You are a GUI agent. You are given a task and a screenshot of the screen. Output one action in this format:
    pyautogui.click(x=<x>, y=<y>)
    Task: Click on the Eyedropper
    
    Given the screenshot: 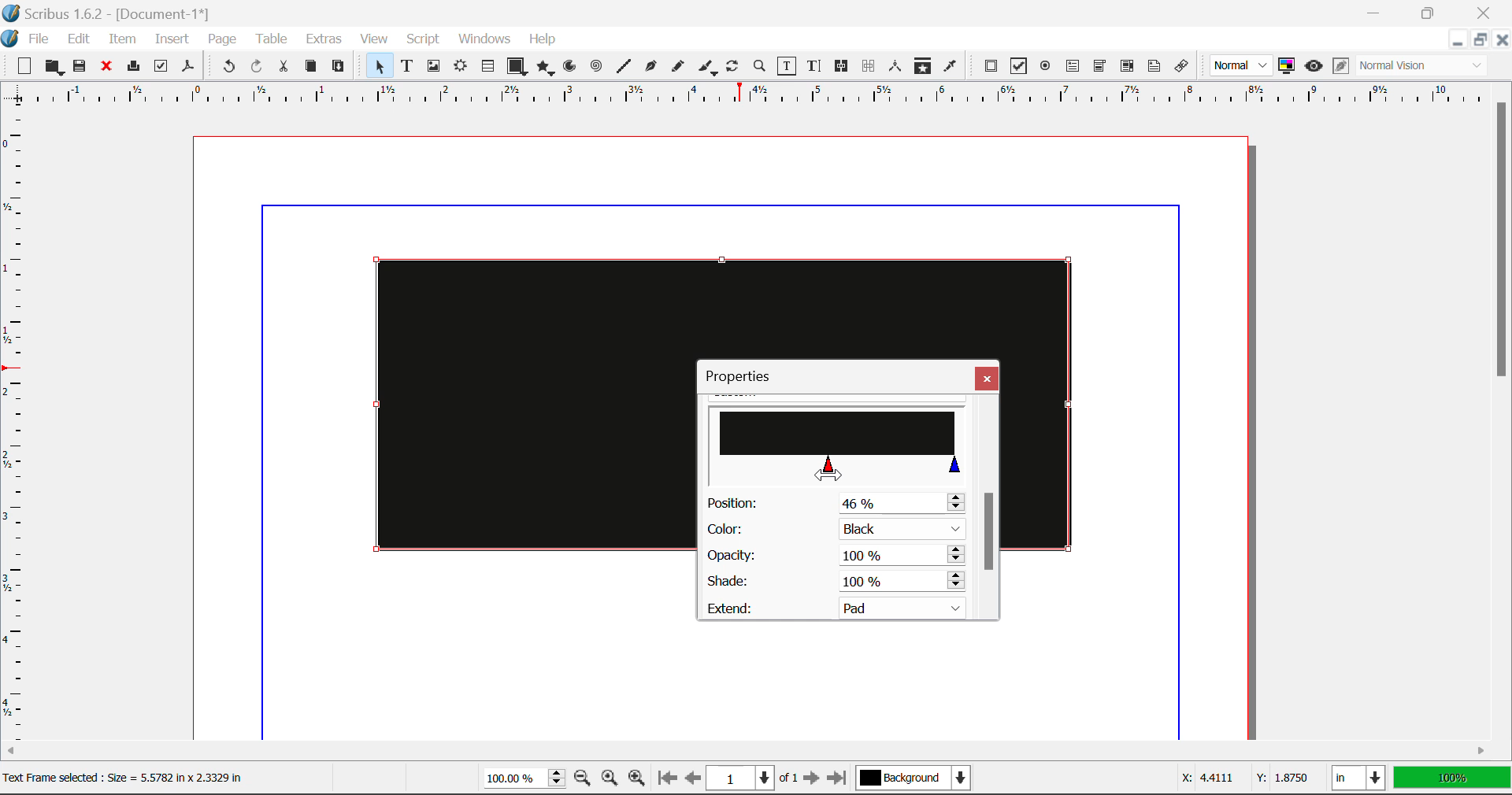 What is the action you would take?
    pyautogui.click(x=950, y=68)
    